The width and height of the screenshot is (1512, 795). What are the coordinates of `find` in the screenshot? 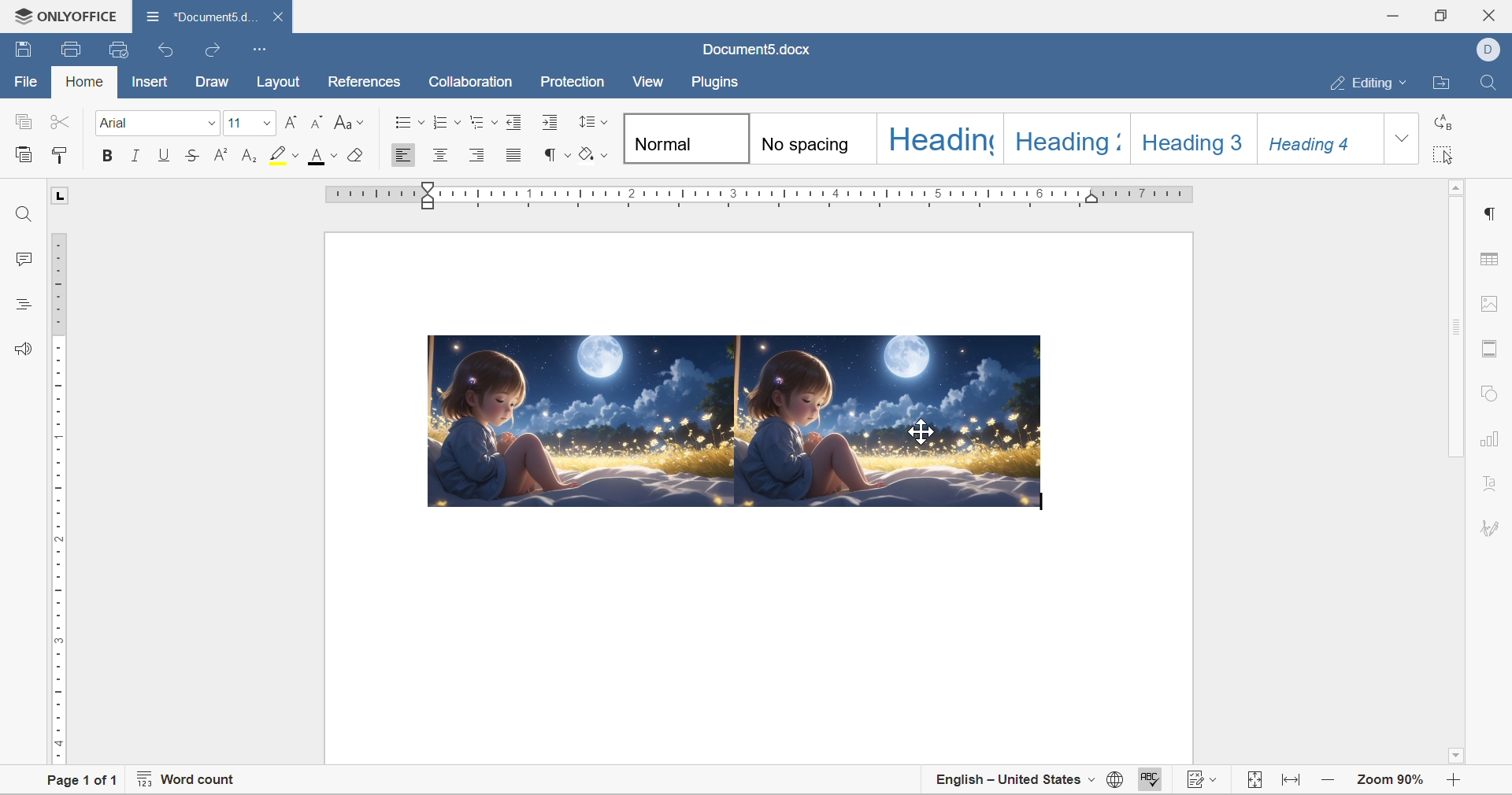 It's located at (24, 216).